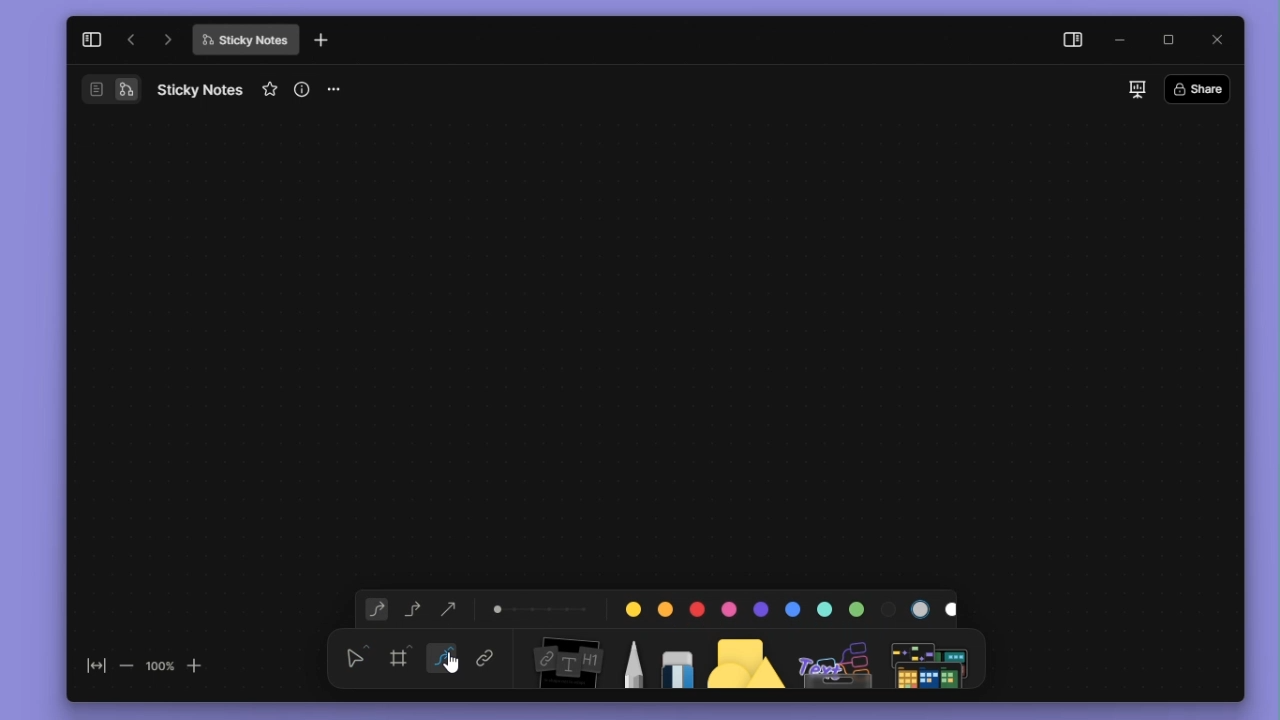 The width and height of the screenshot is (1280, 720). Describe the element at coordinates (444, 659) in the screenshot. I see `straight` at that location.